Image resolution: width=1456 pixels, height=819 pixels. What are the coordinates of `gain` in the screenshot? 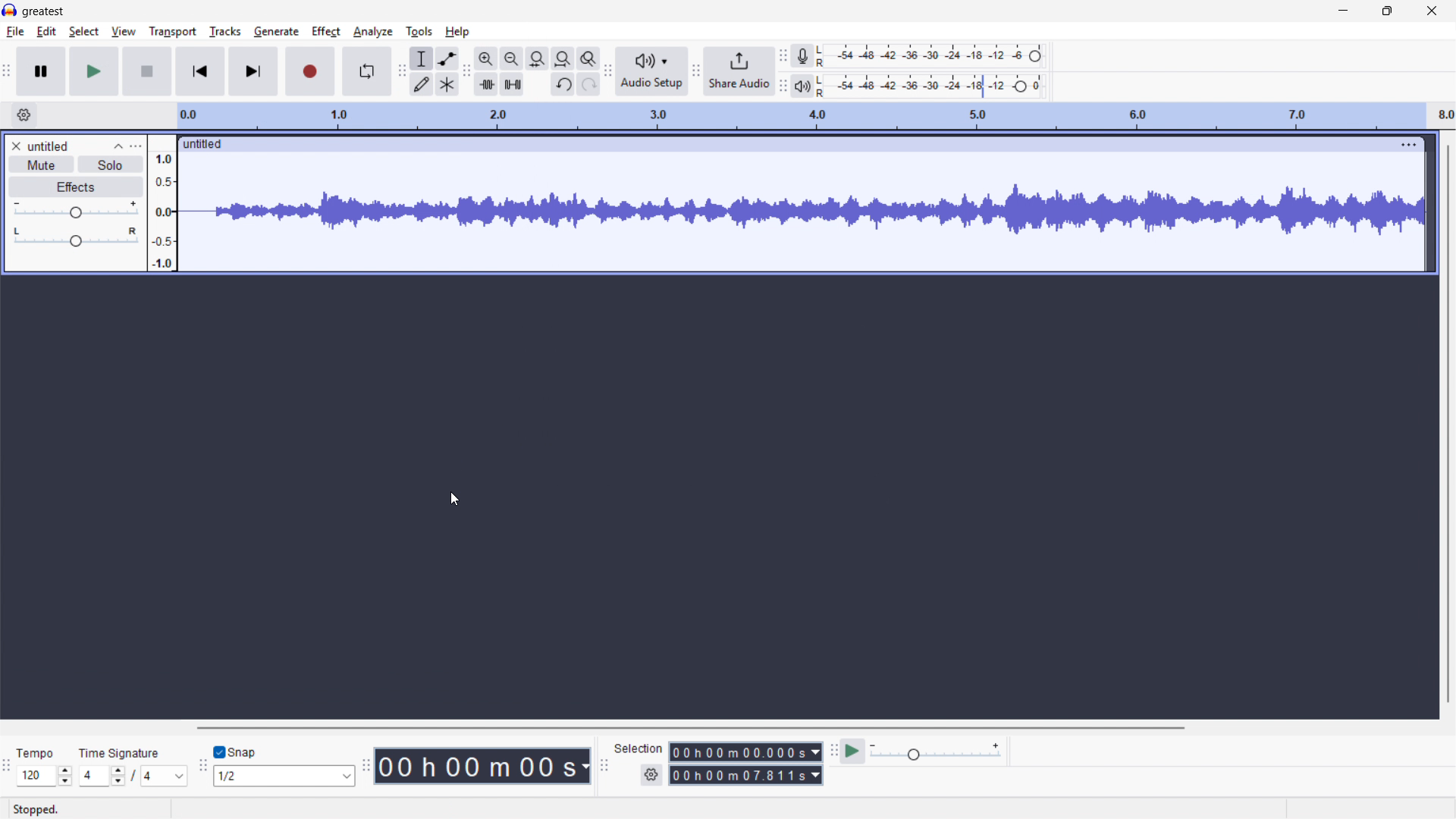 It's located at (75, 211).